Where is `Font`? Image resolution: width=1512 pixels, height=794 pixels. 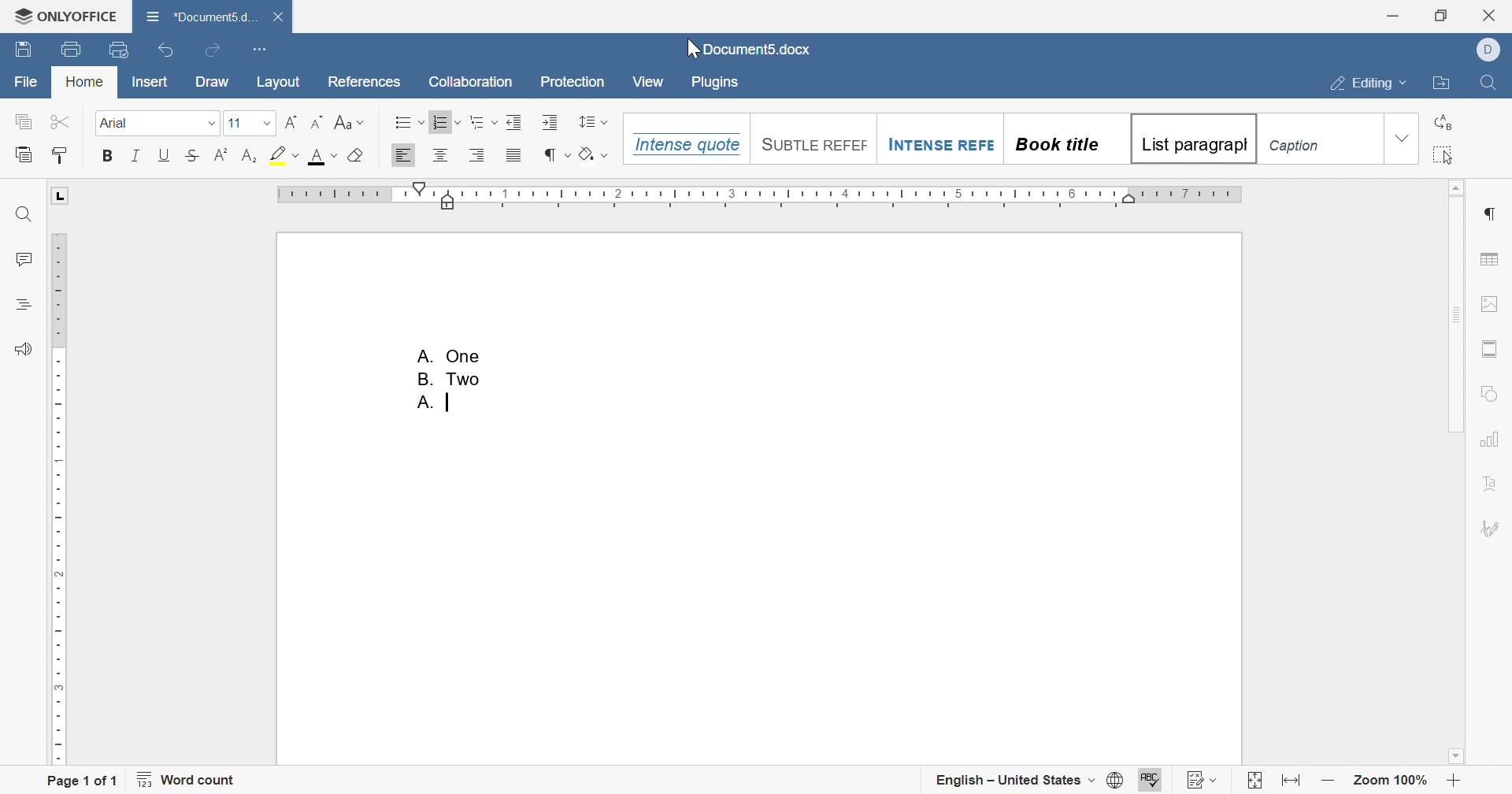
Font is located at coordinates (116, 123).